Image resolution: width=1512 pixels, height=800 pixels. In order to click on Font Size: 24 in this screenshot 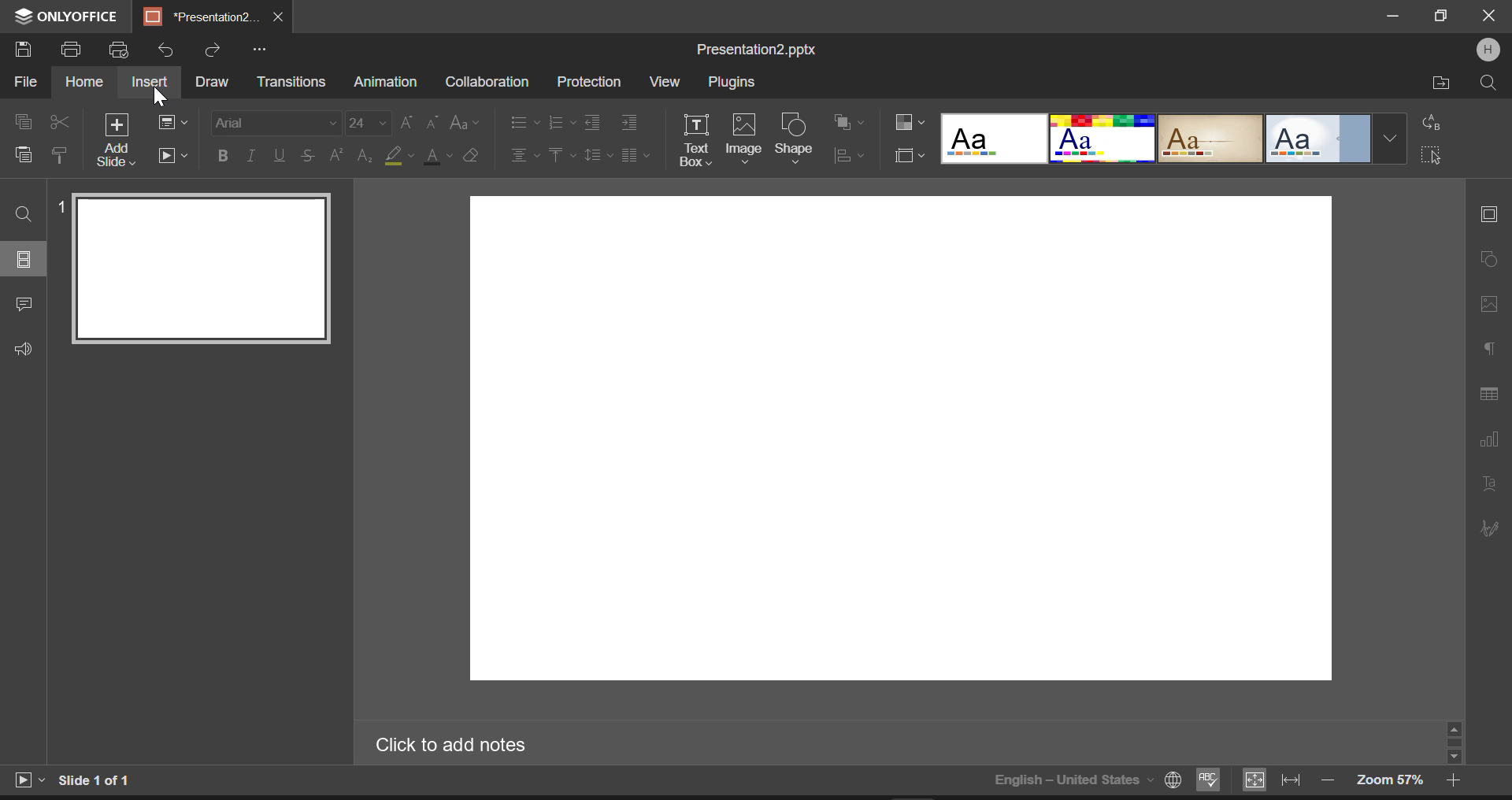, I will do `click(368, 122)`.